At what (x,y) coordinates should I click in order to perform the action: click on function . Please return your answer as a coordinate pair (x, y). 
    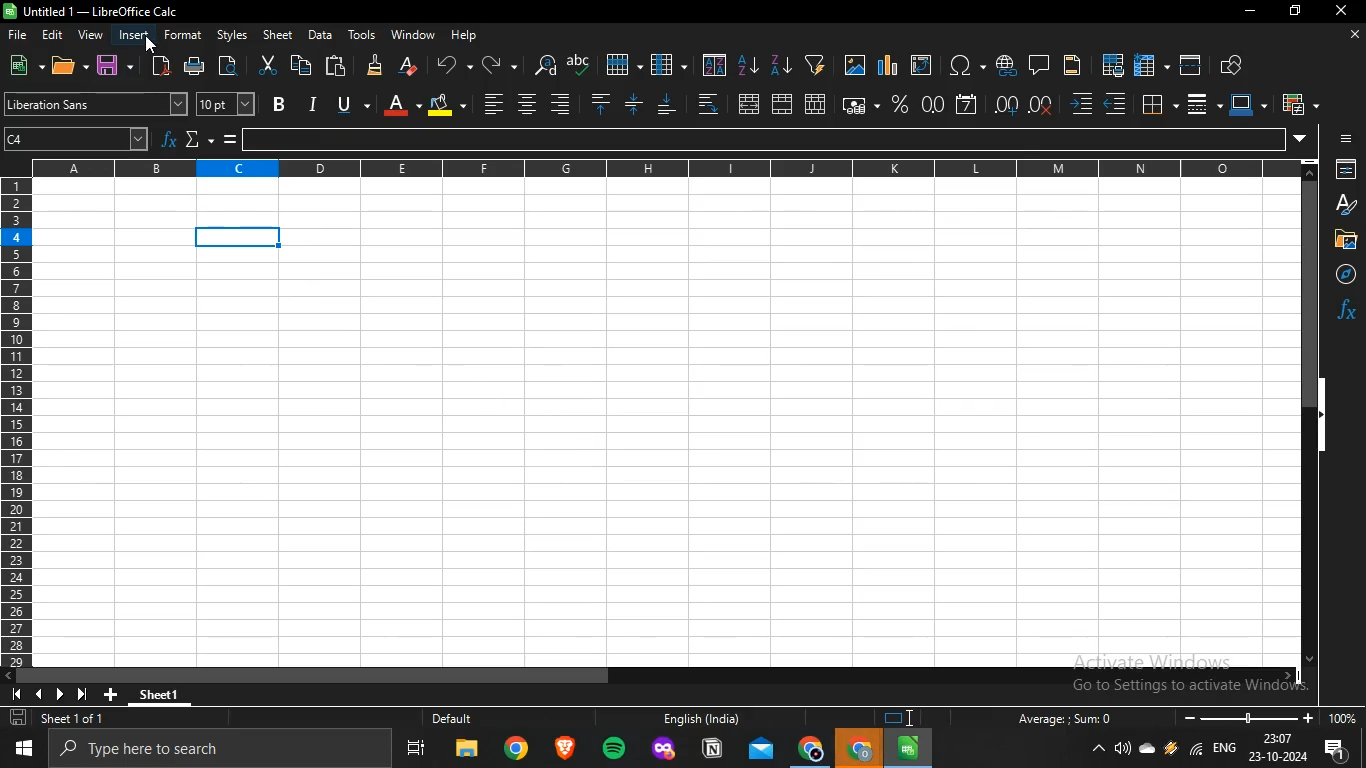
    Looking at the image, I should click on (170, 141).